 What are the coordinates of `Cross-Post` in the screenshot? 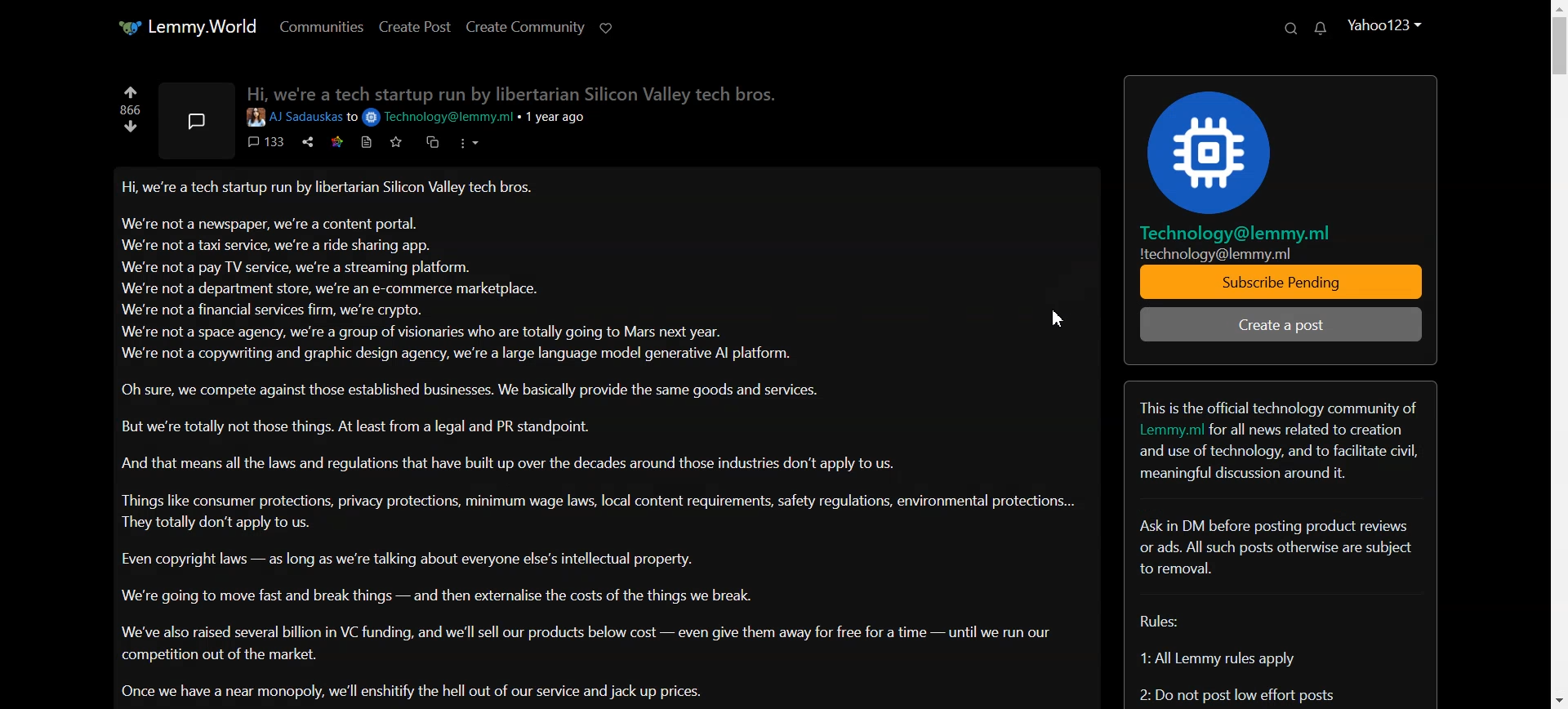 It's located at (432, 141).